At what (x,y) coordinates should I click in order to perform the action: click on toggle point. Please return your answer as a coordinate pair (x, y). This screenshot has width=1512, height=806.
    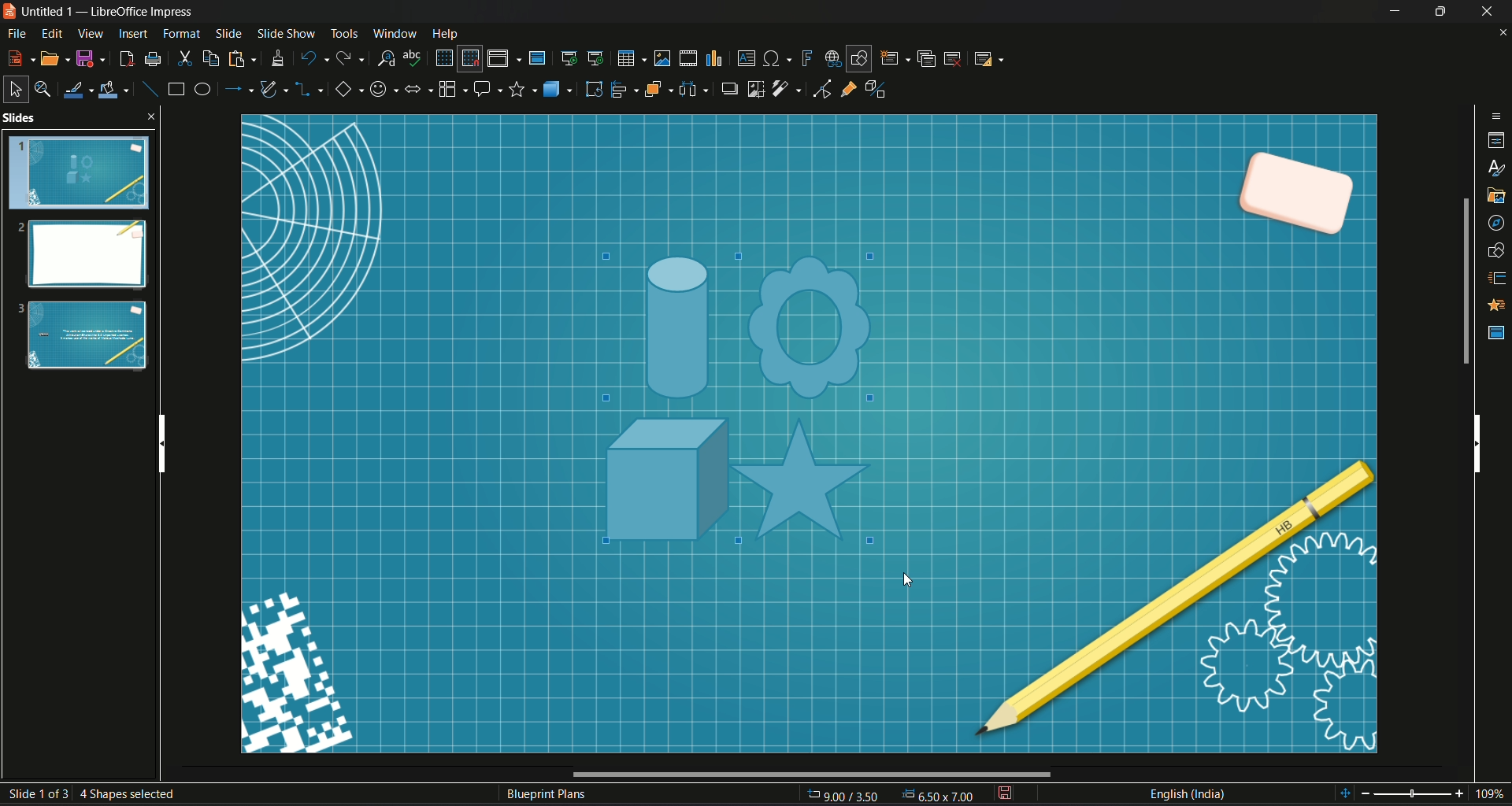
    Looking at the image, I should click on (820, 91).